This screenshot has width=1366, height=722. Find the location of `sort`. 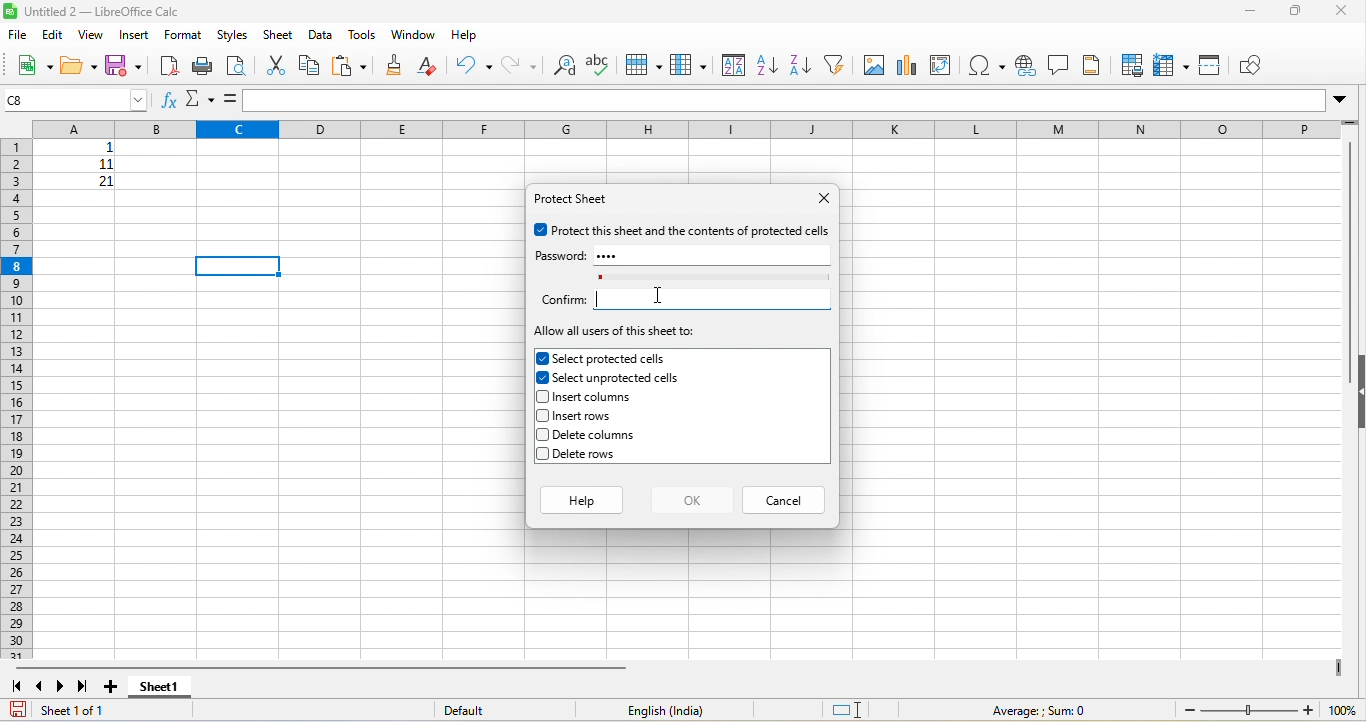

sort is located at coordinates (733, 64).